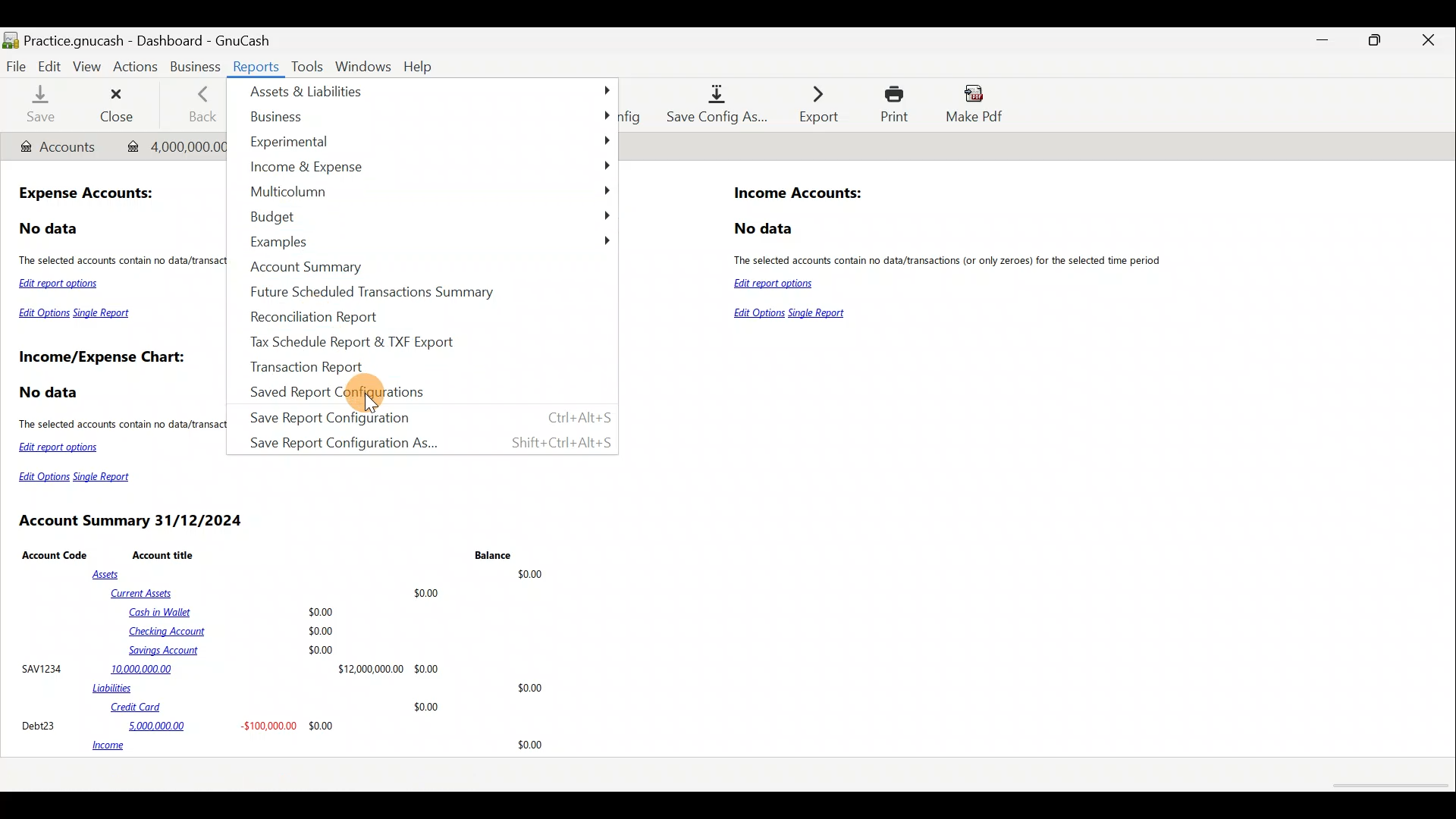  What do you see at coordinates (432, 217) in the screenshot?
I see `Budget »` at bounding box center [432, 217].